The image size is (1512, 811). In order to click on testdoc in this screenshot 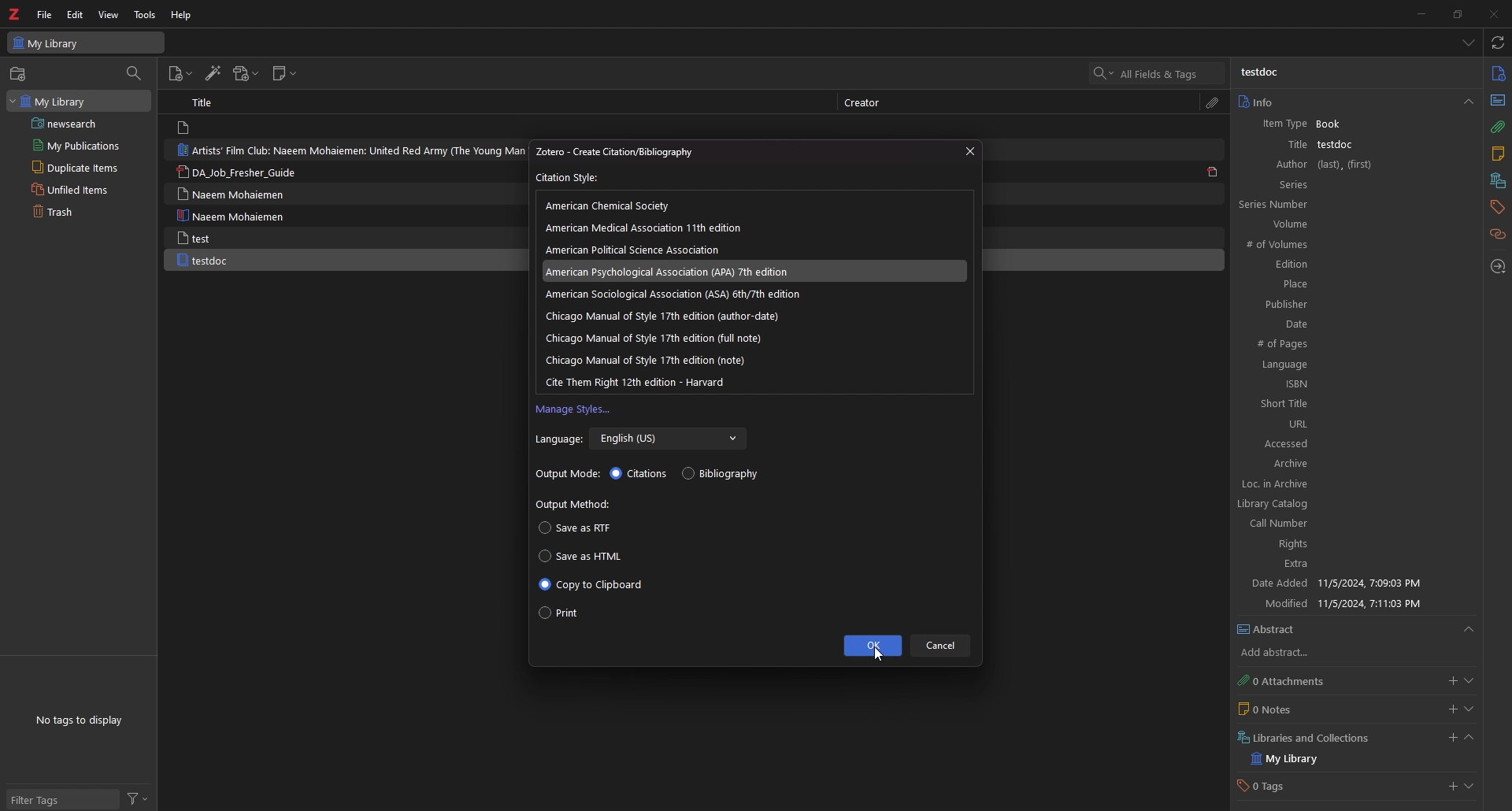, I will do `click(205, 261)`.